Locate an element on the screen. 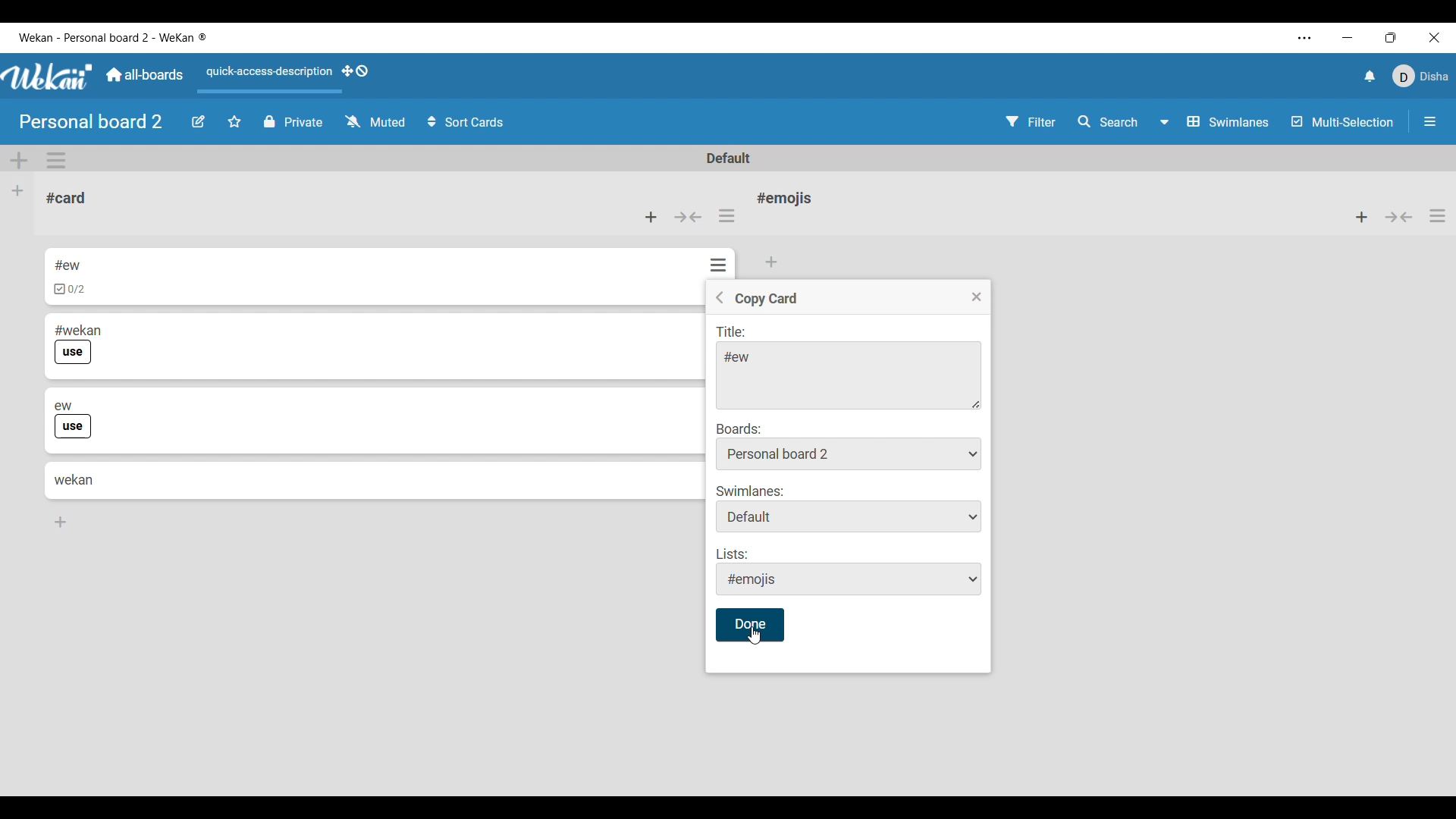 The width and height of the screenshot is (1456, 819). Board lists is located at coordinates (849, 453).